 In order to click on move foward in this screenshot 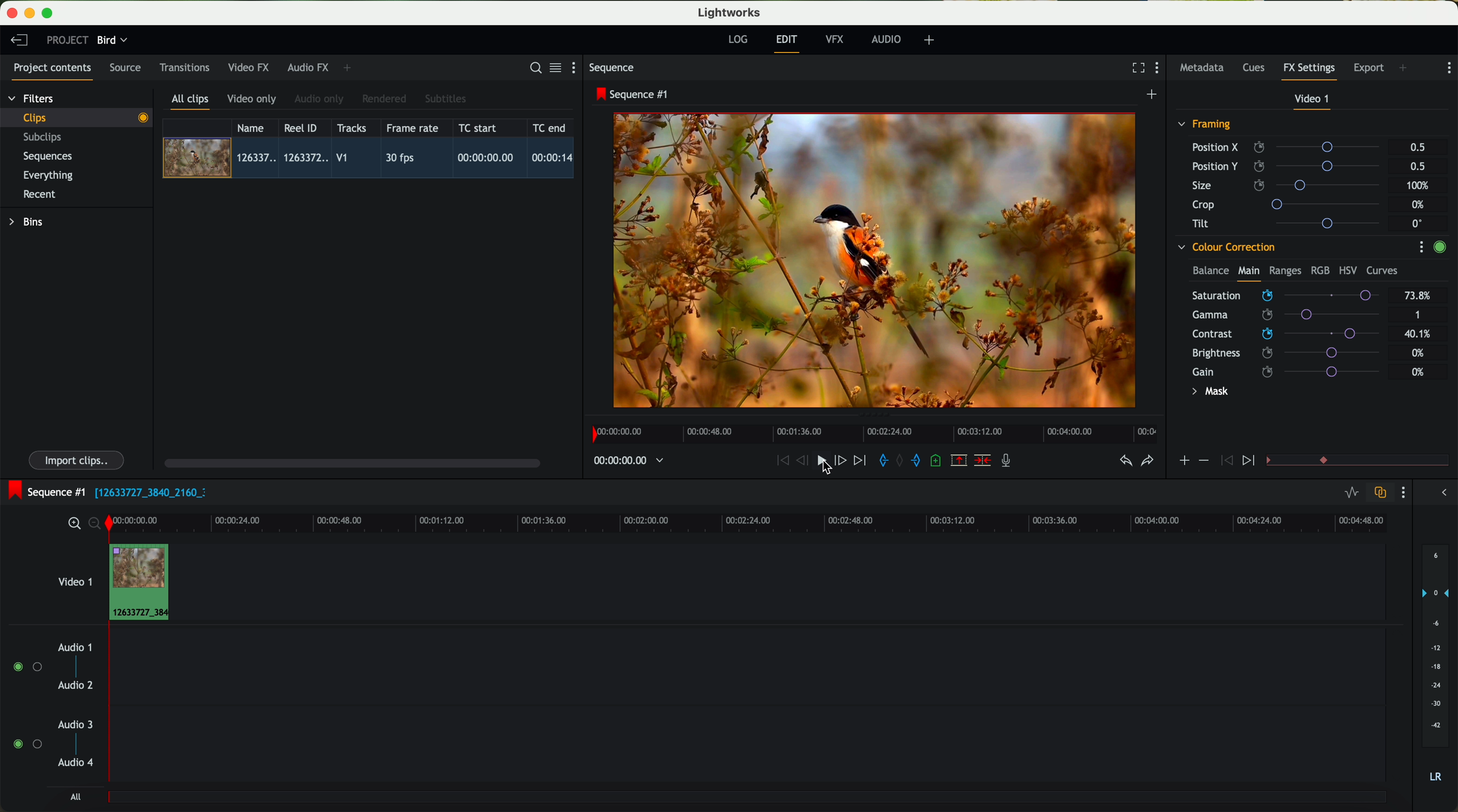, I will do `click(859, 461)`.